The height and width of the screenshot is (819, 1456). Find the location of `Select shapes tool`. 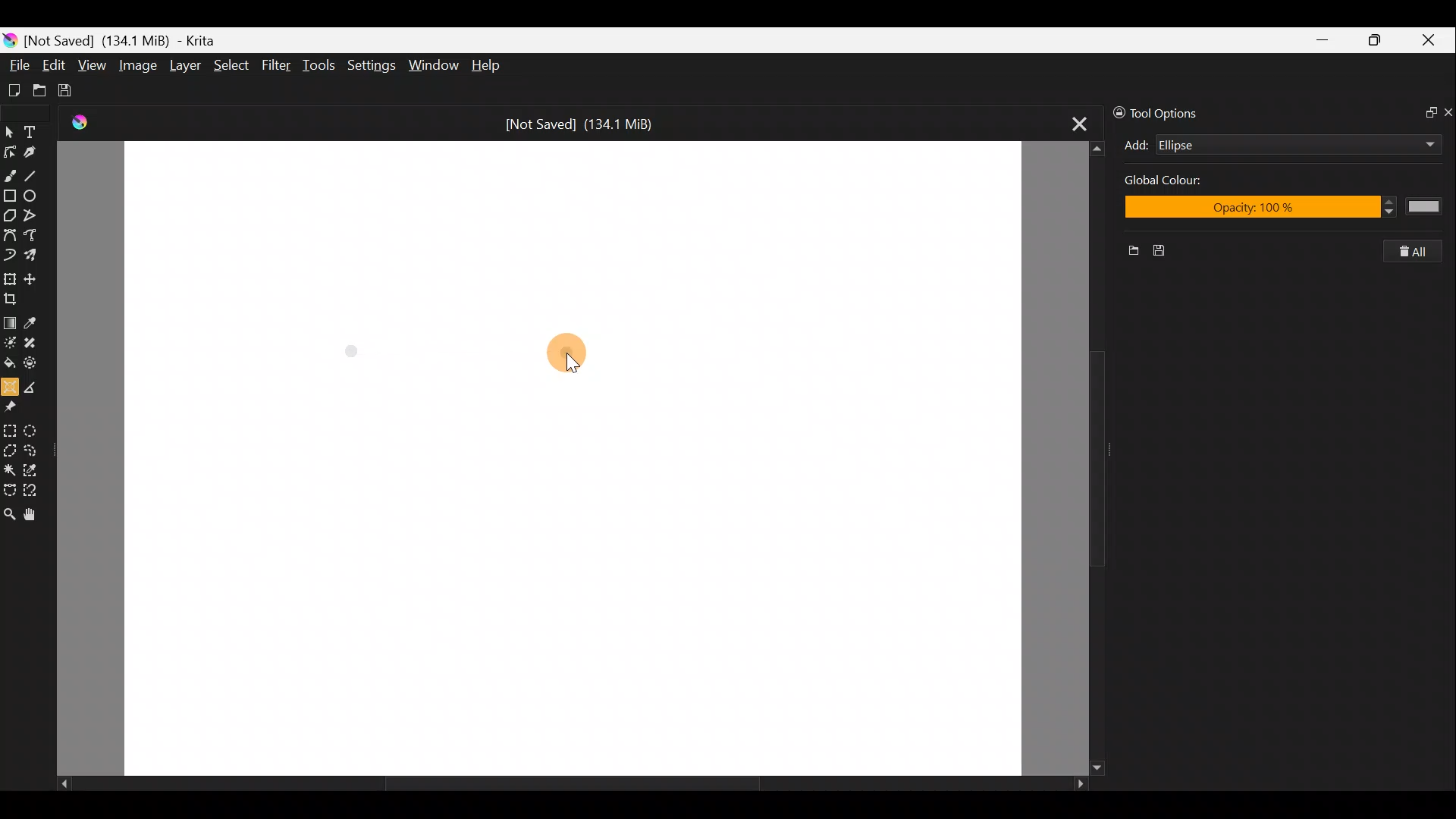

Select shapes tool is located at coordinates (10, 129).